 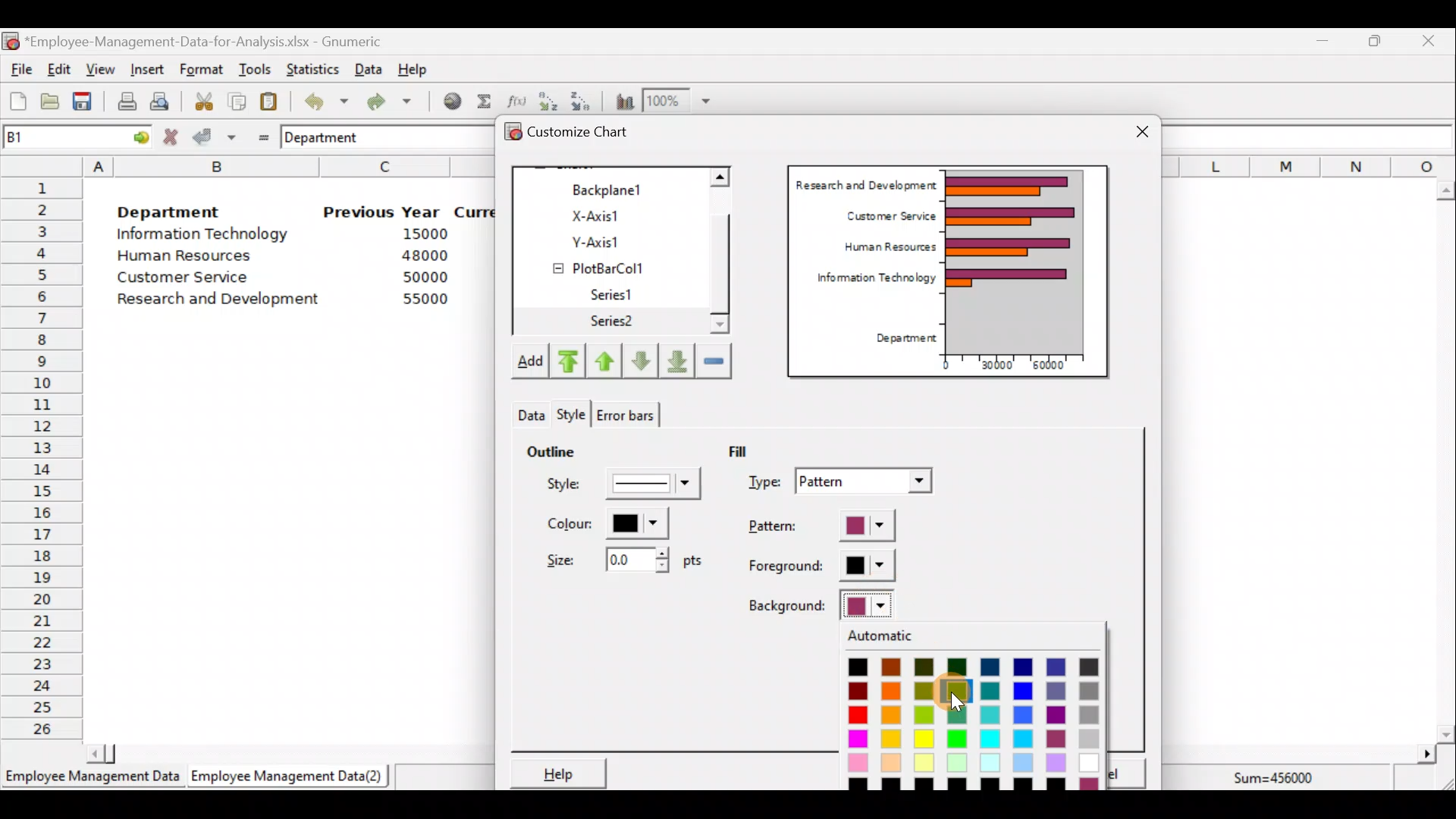 What do you see at coordinates (309, 67) in the screenshot?
I see `Statistics` at bounding box center [309, 67].